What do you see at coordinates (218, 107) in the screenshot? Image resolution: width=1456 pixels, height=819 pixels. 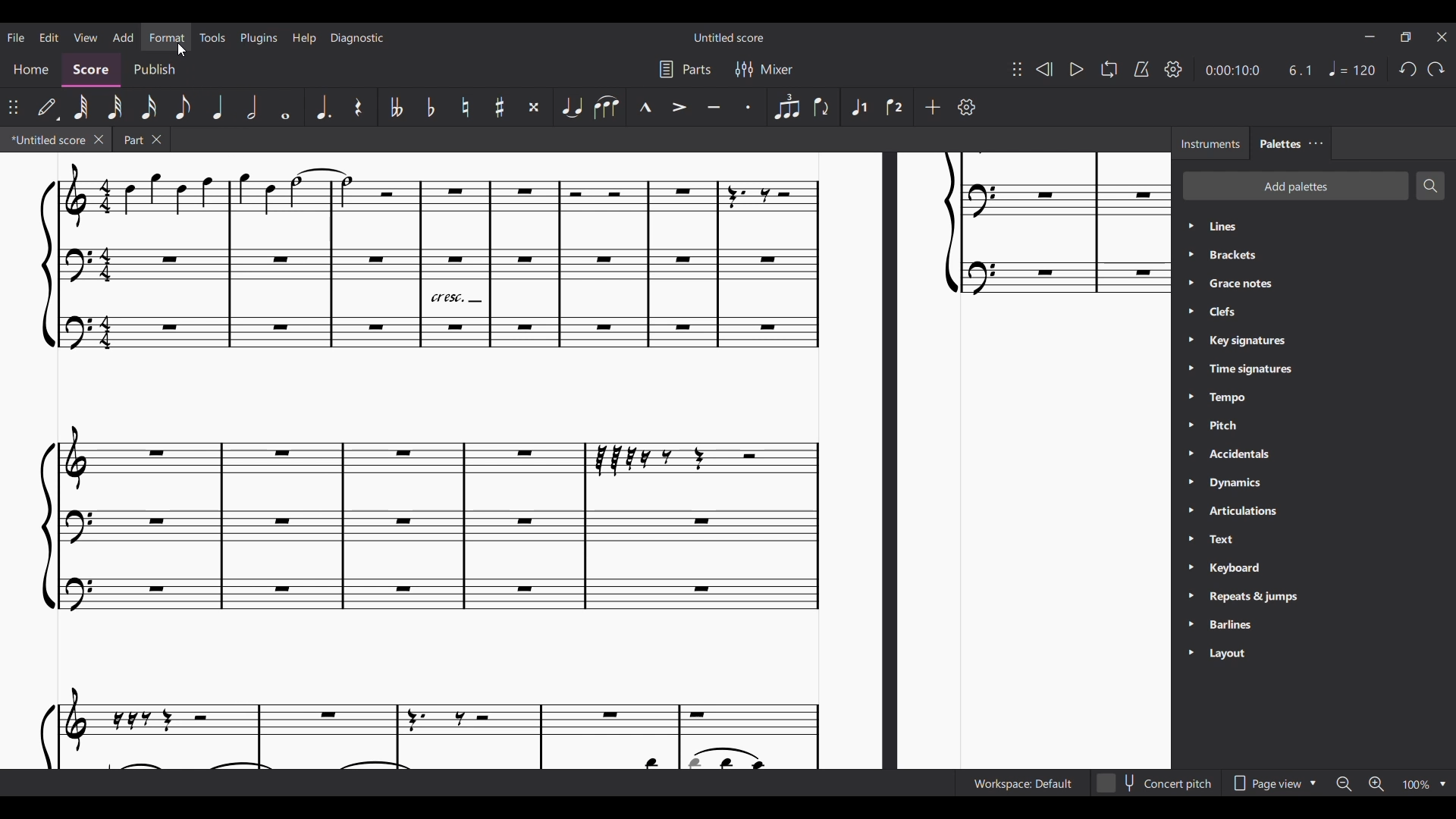 I see `Quarter note` at bounding box center [218, 107].